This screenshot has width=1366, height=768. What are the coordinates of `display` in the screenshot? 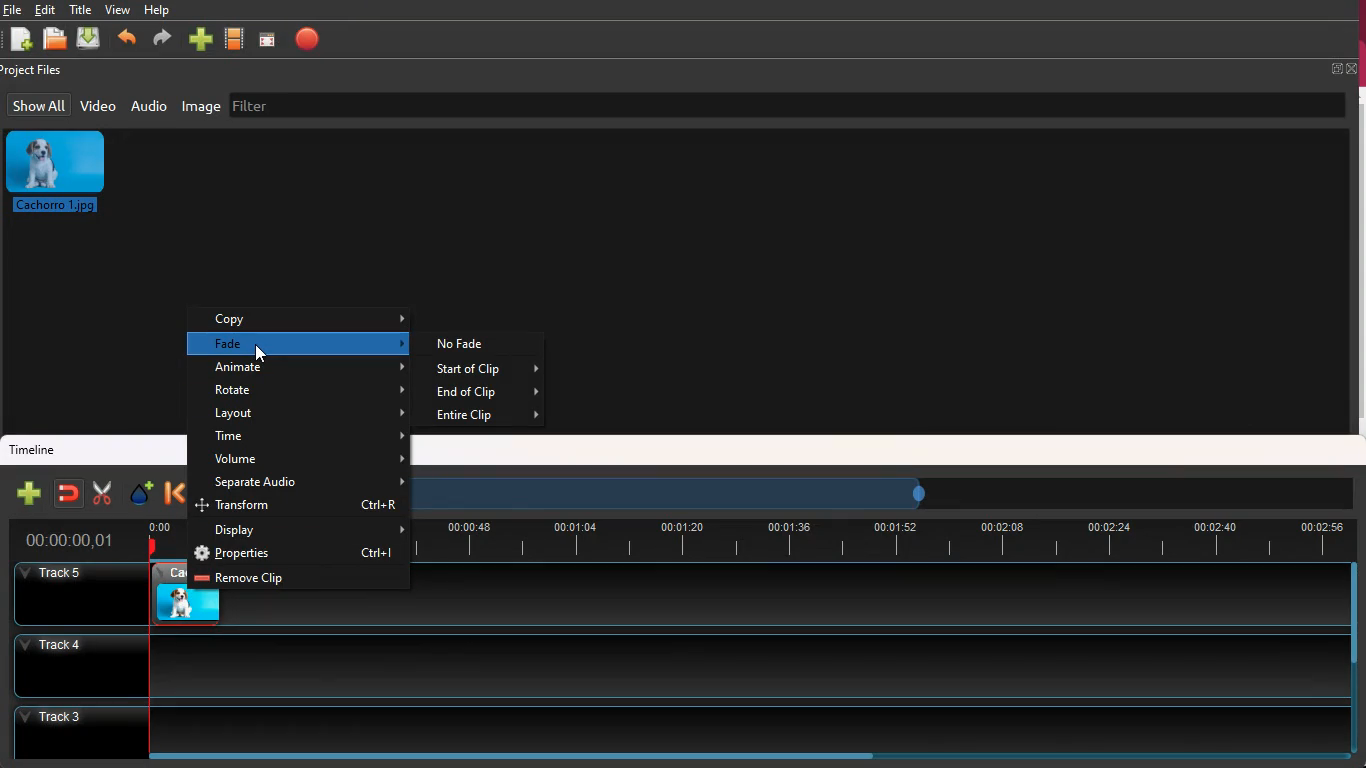 It's located at (308, 530).